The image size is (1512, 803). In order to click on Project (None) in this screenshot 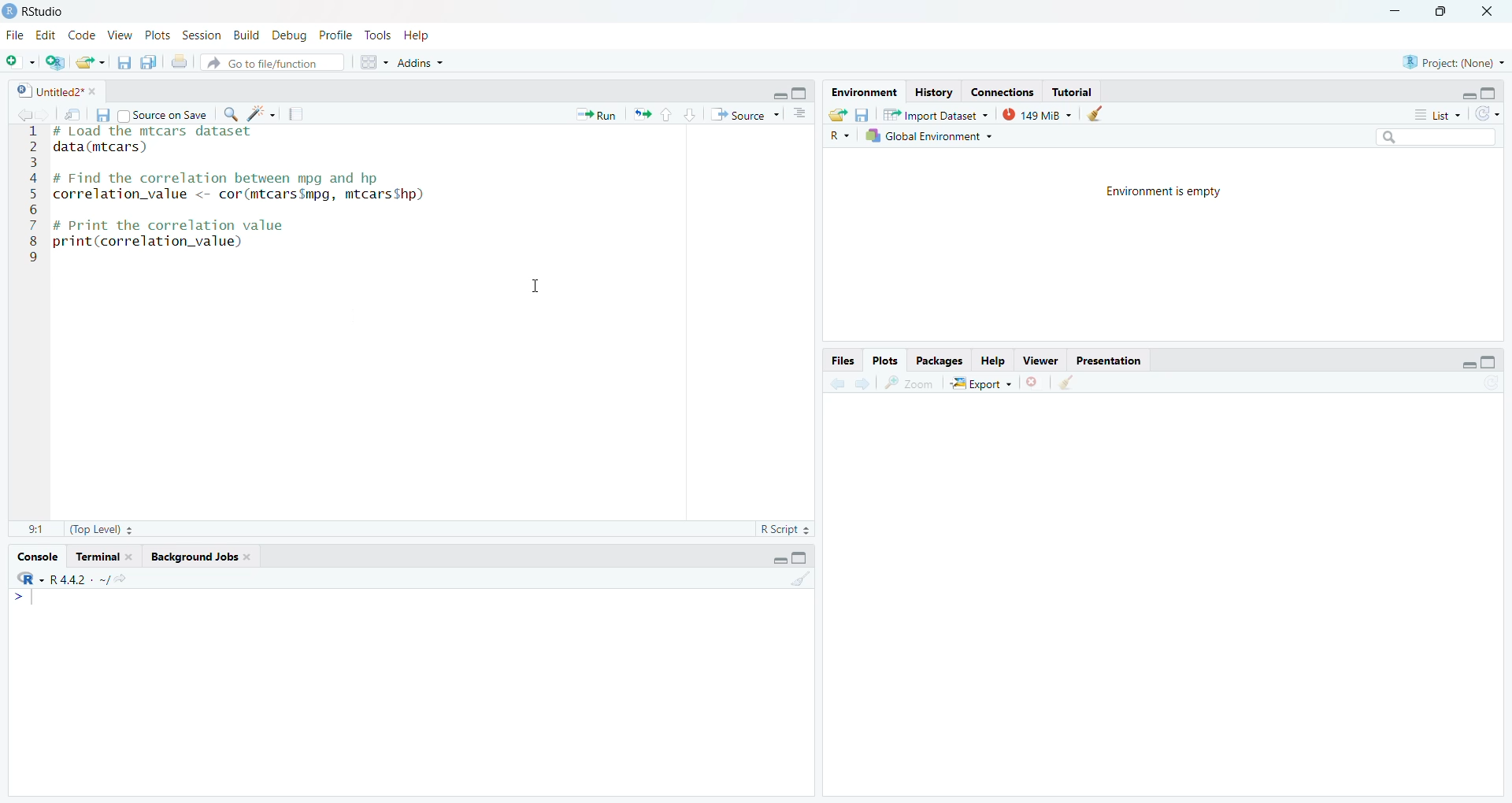, I will do `click(1454, 63)`.